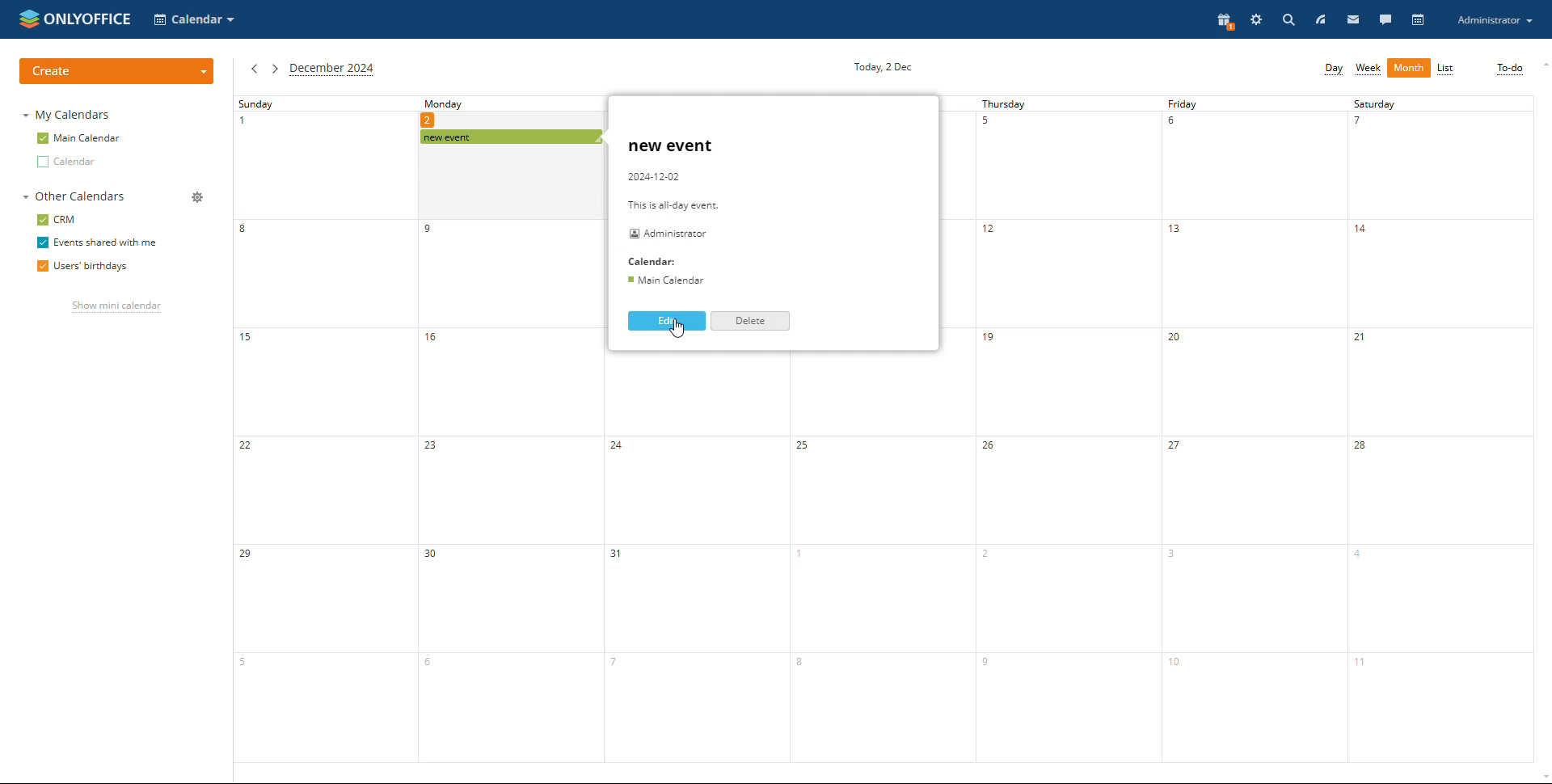 This screenshot has height=784, width=1552. Describe the element at coordinates (254, 69) in the screenshot. I see `previous month` at that location.